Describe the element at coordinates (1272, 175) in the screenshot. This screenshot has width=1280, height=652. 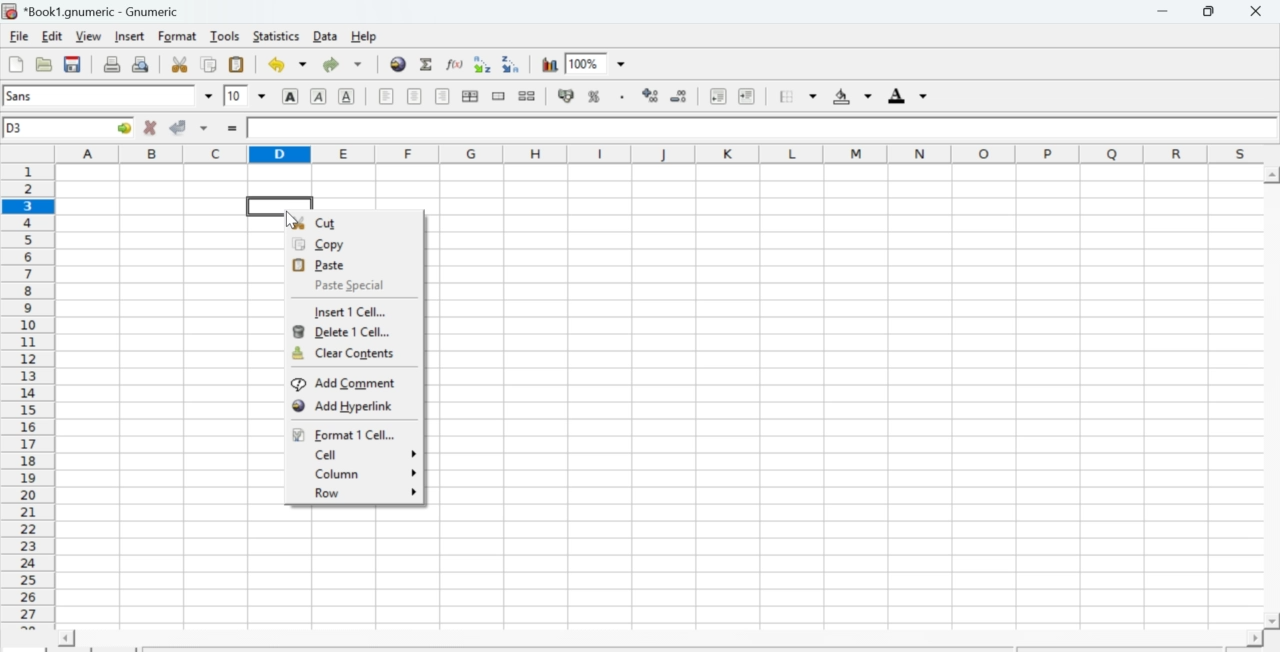
I see `scroll up` at that location.